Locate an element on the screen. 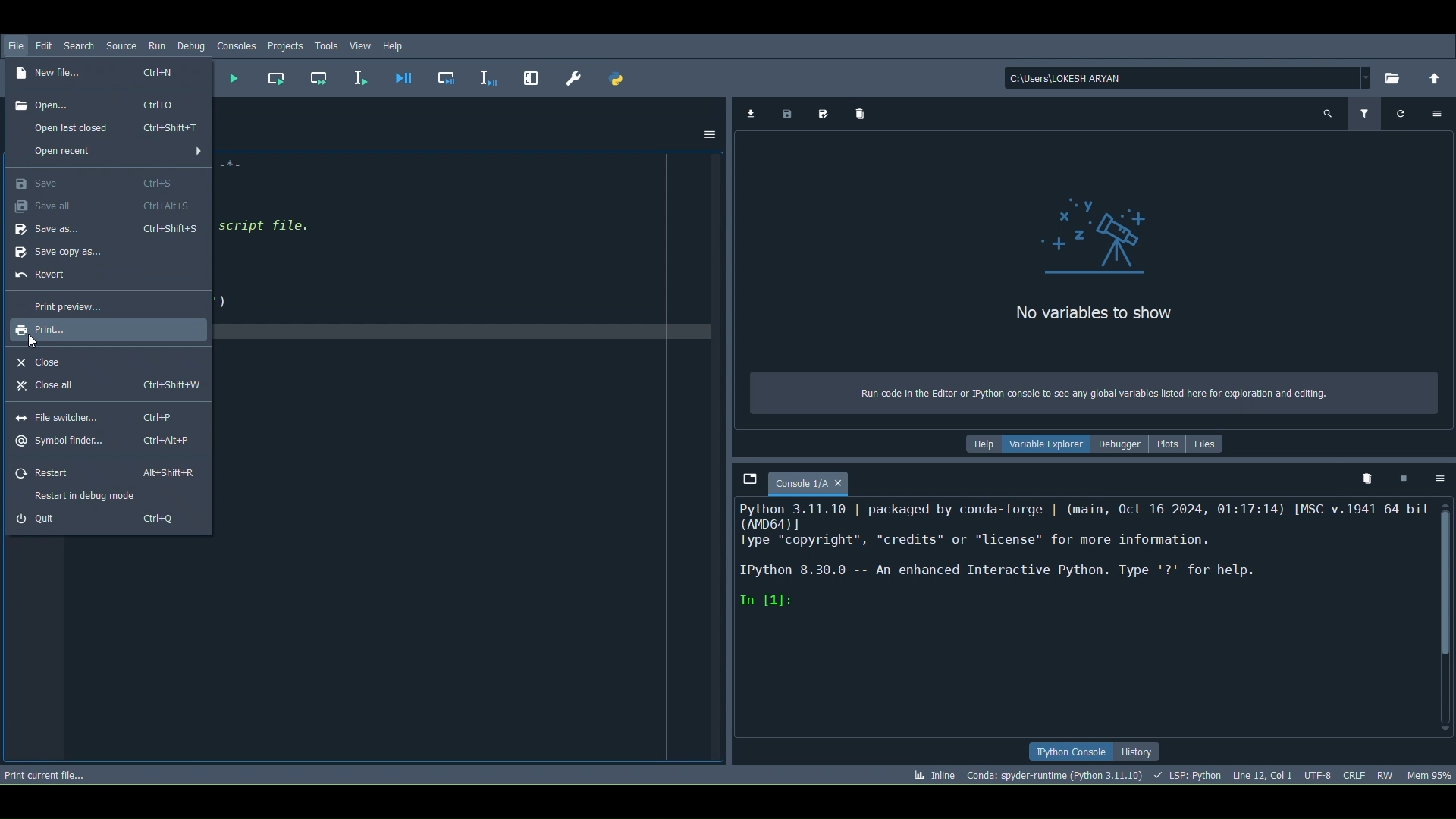  Tools is located at coordinates (326, 48).